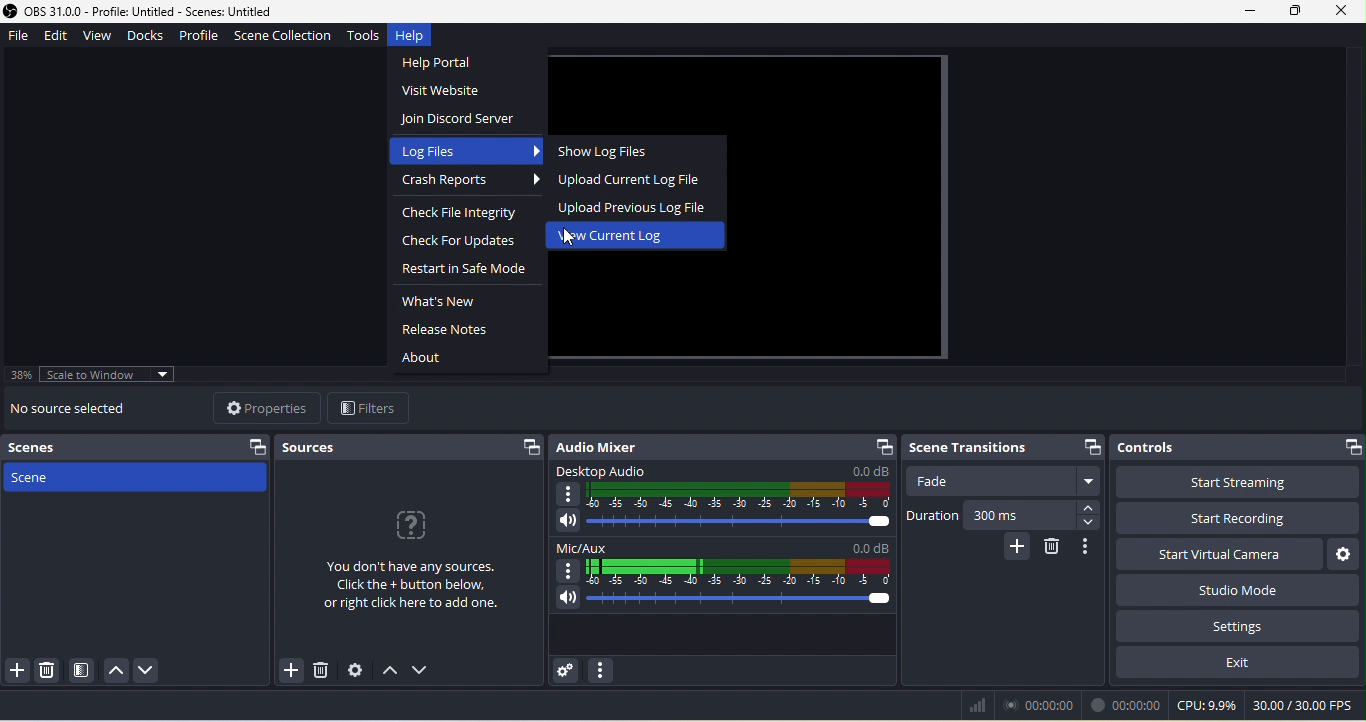 The image size is (1366, 722). I want to click on what's new, so click(439, 303).